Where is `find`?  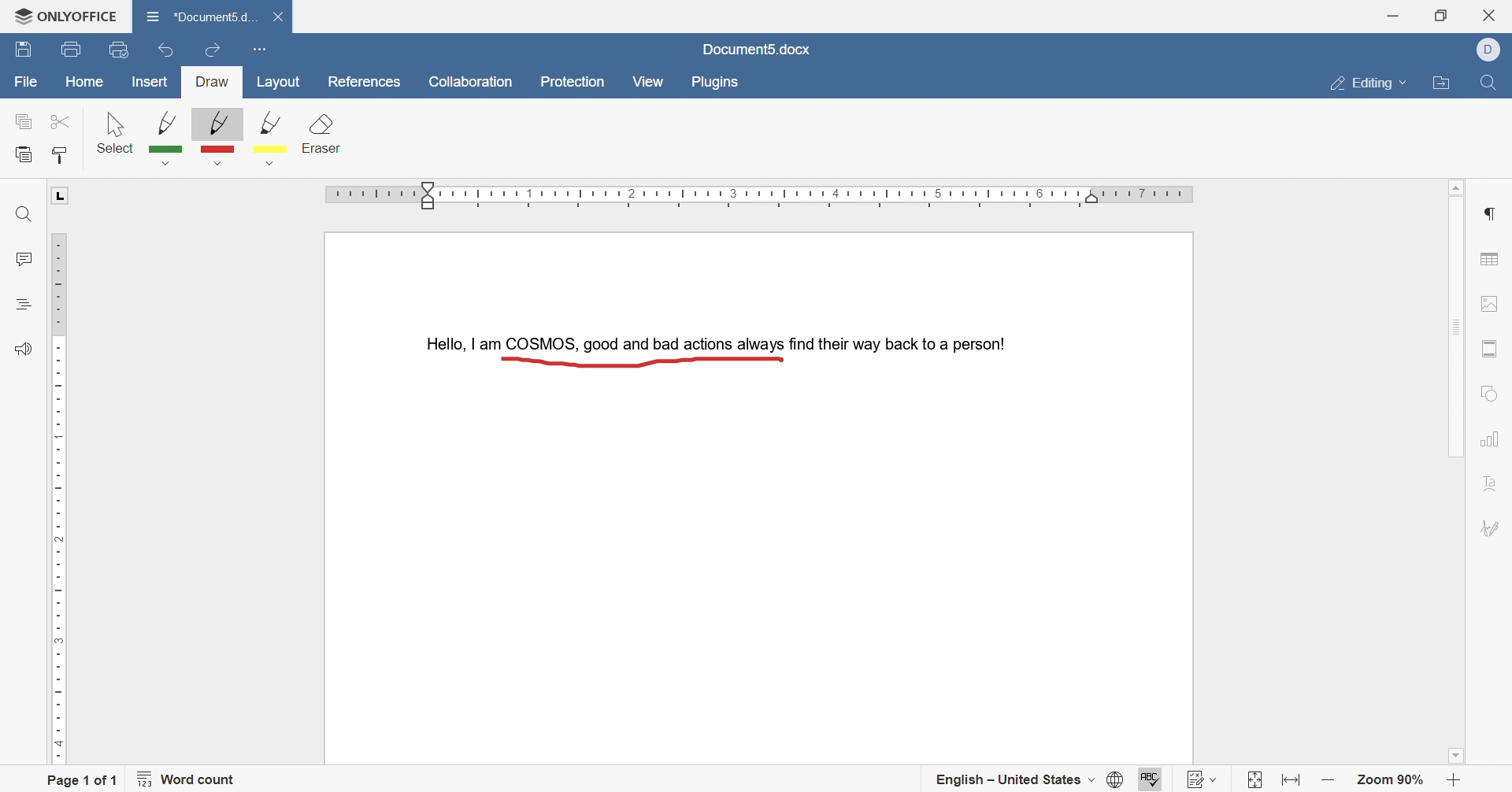
find is located at coordinates (21, 216).